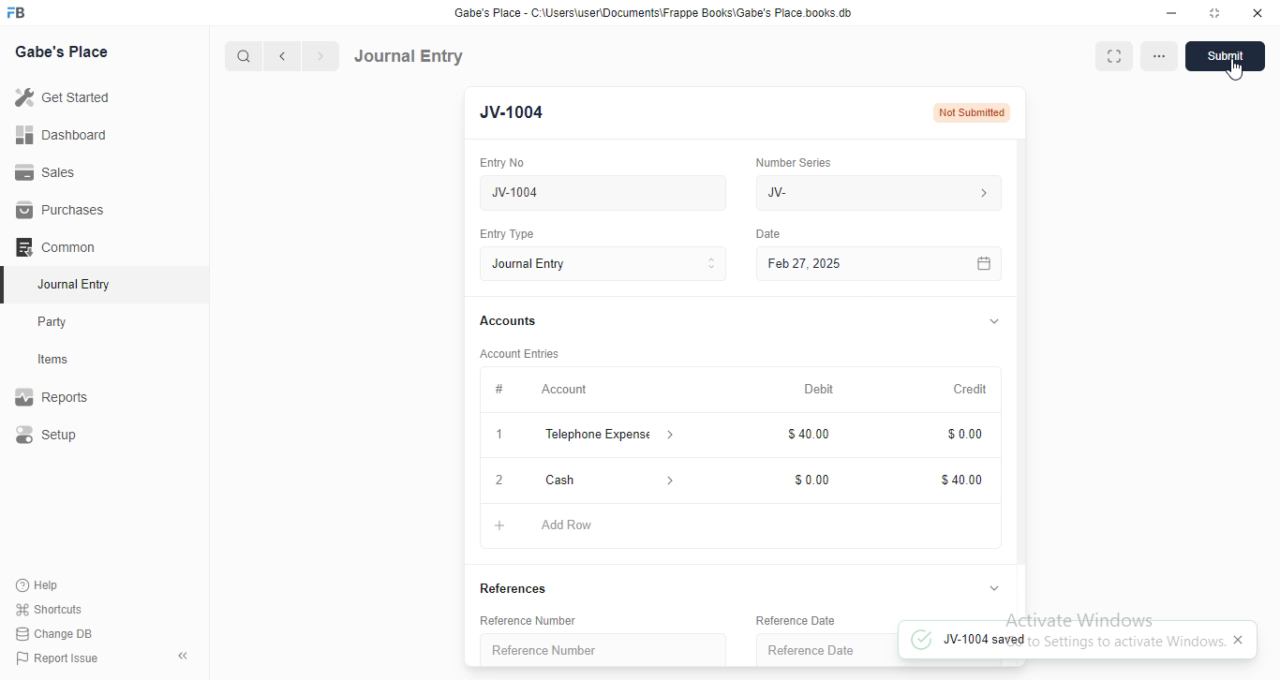 Image resolution: width=1280 pixels, height=680 pixels. What do you see at coordinates (66, 97) in the screenshot?
I see `Get Started` at bounding box center [66, 97].